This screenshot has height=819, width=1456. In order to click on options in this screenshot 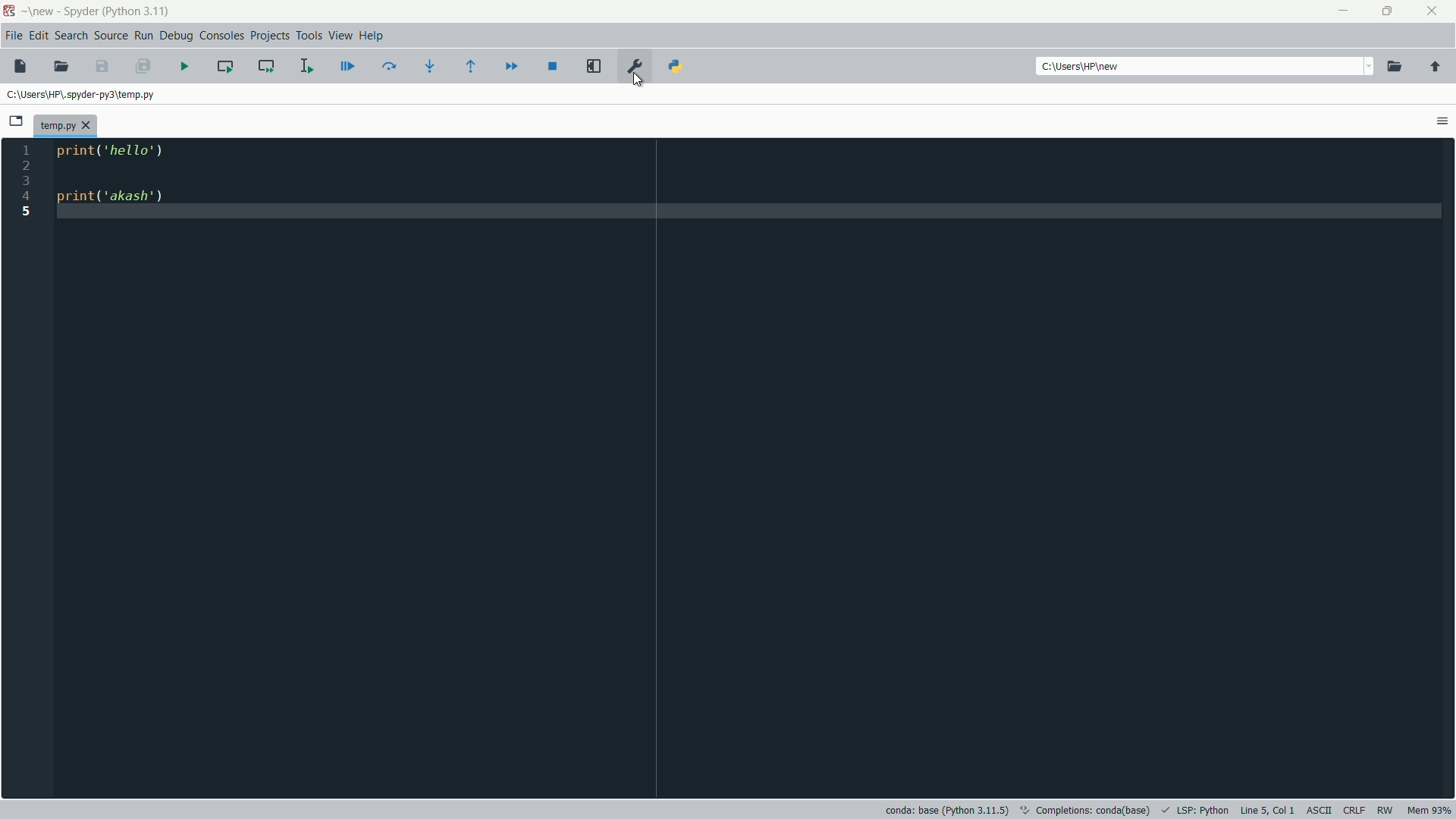, I will do `click(1442, 121)`.